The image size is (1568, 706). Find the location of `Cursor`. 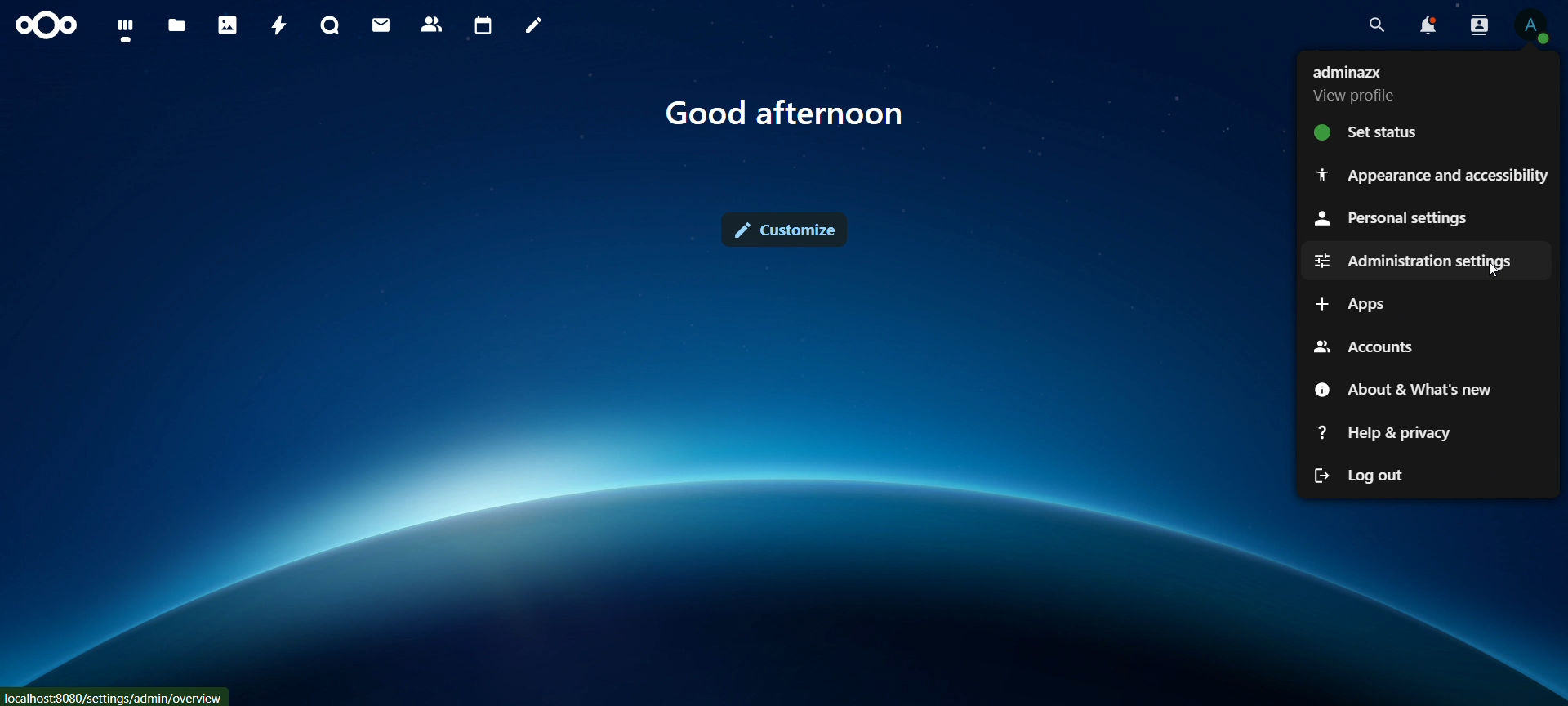

Cursor is located at coordinates (1497, 273).